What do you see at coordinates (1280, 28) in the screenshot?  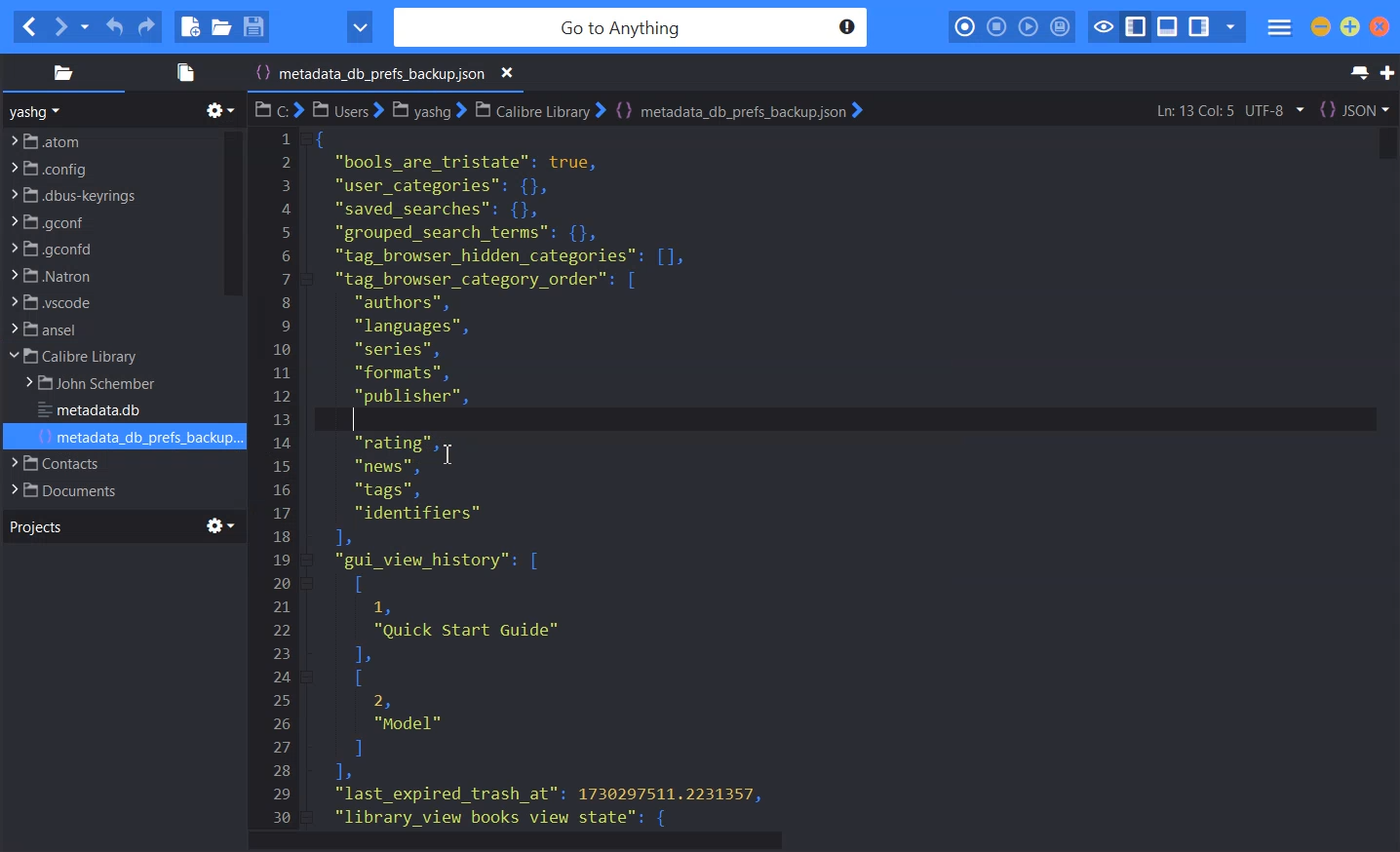 I see `Menu` at bounding box center [1280, 28].